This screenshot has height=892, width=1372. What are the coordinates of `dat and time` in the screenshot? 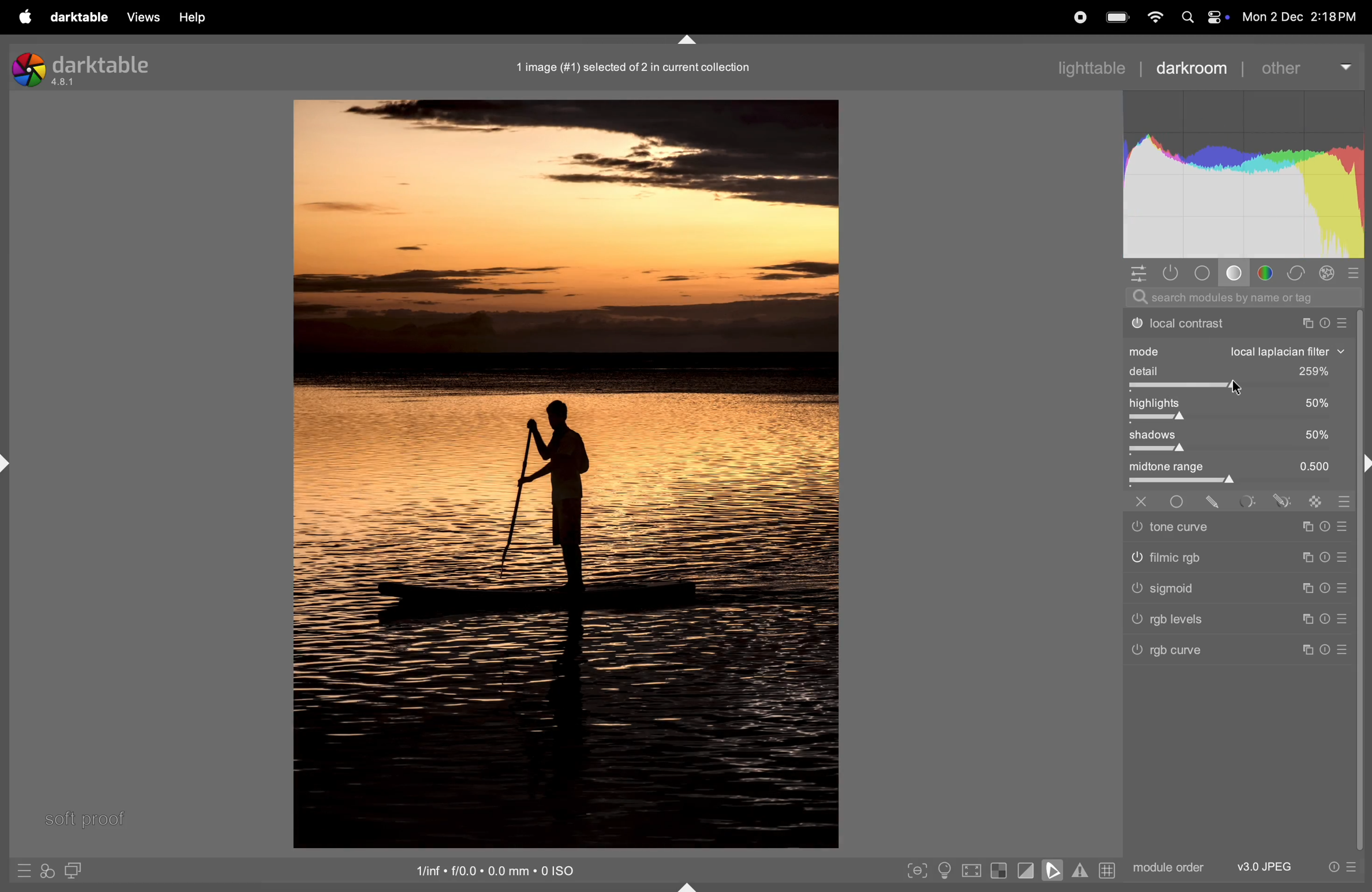 It's located at (1301, 17).